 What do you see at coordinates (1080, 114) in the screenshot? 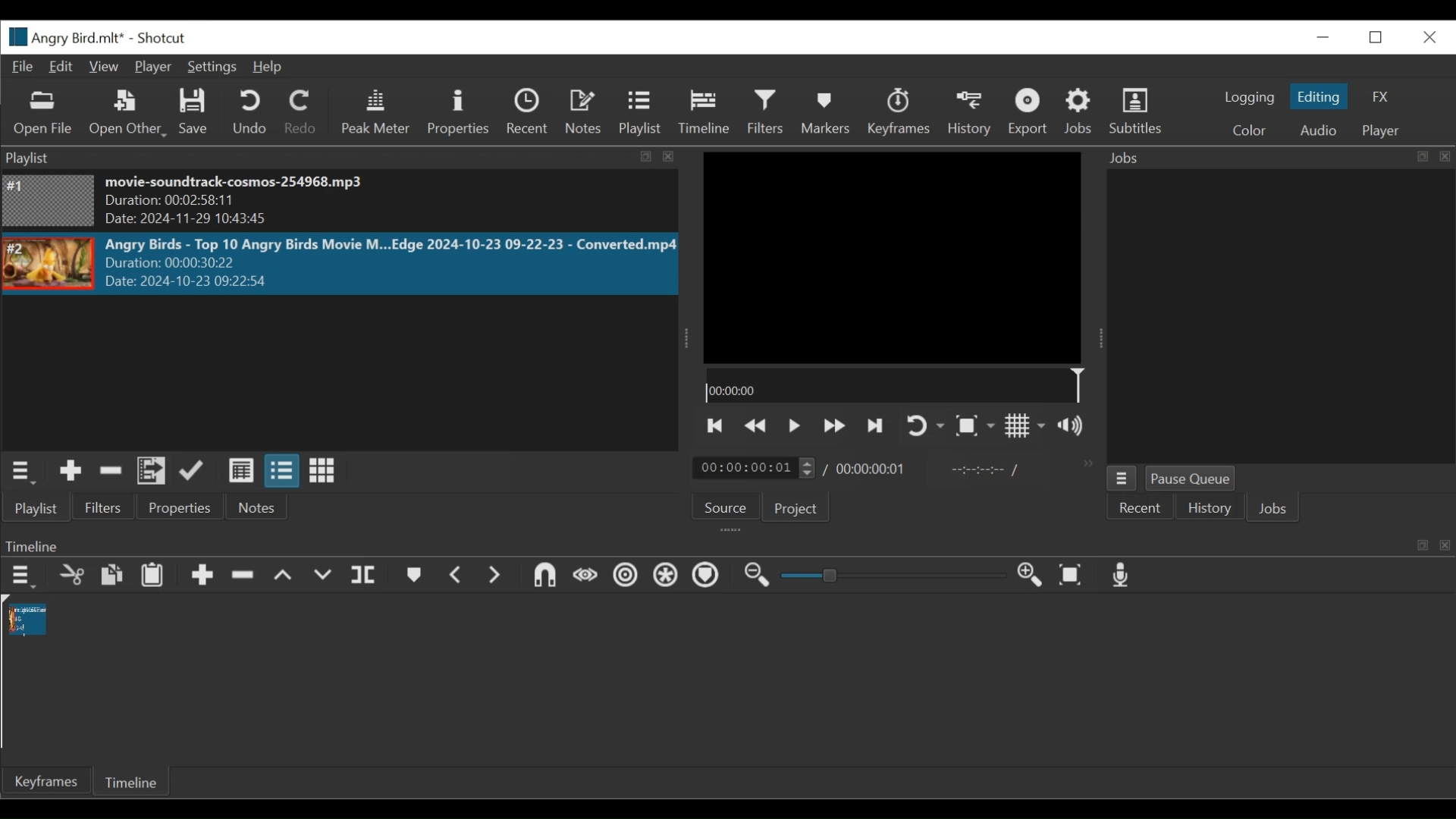
I see `Jobs` at bounding box center [1080, 114].